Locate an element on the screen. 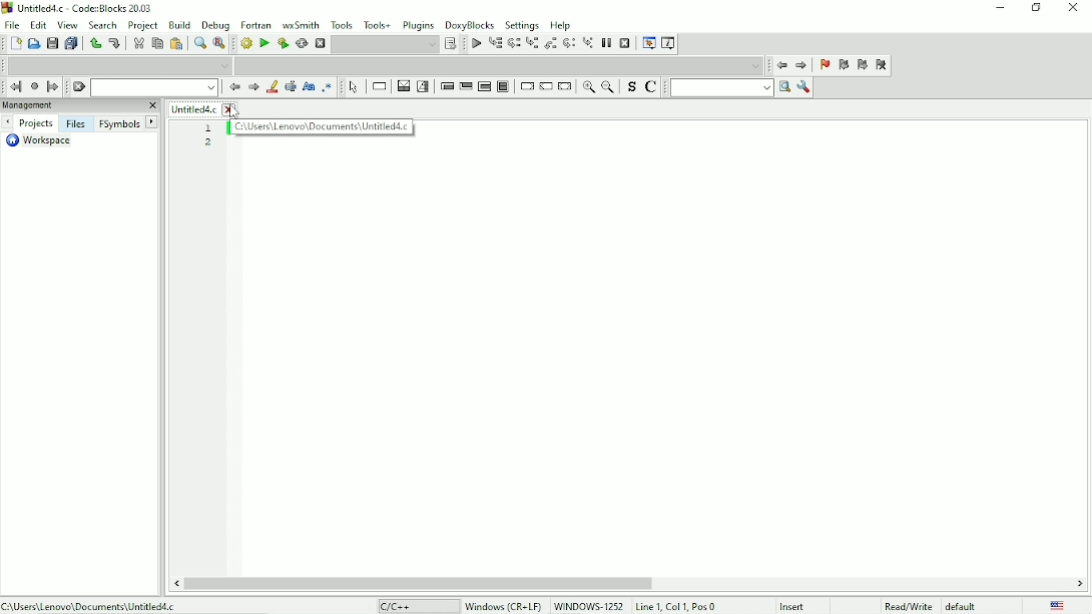 This screenshot has height=614, width=1092. Close is located at coordinates (1074, 7).